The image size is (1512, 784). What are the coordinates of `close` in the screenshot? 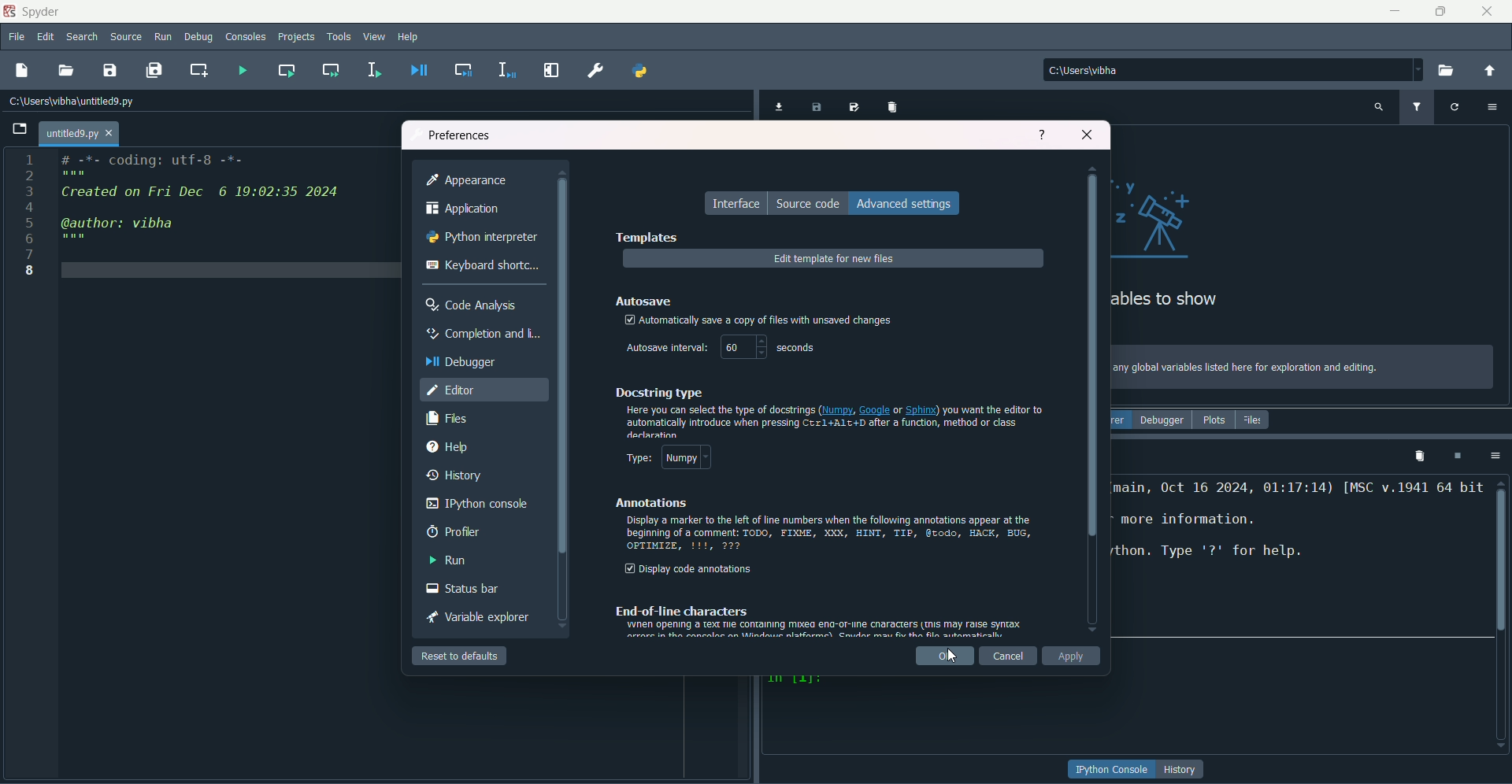 It's located at (1088, 133).